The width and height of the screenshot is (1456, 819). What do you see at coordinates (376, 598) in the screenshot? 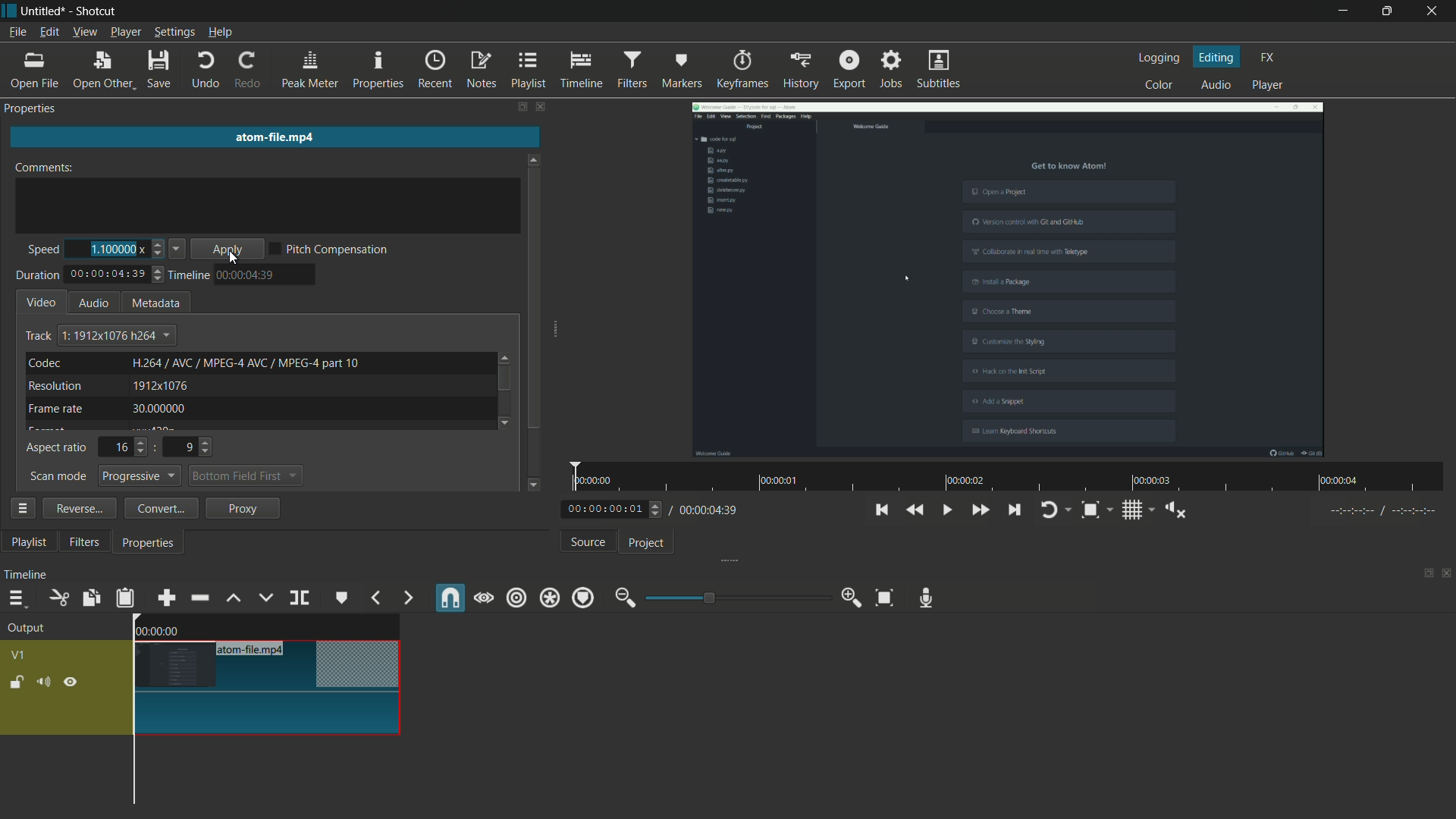
I see `previous marker` at bounding box center [376, 598].